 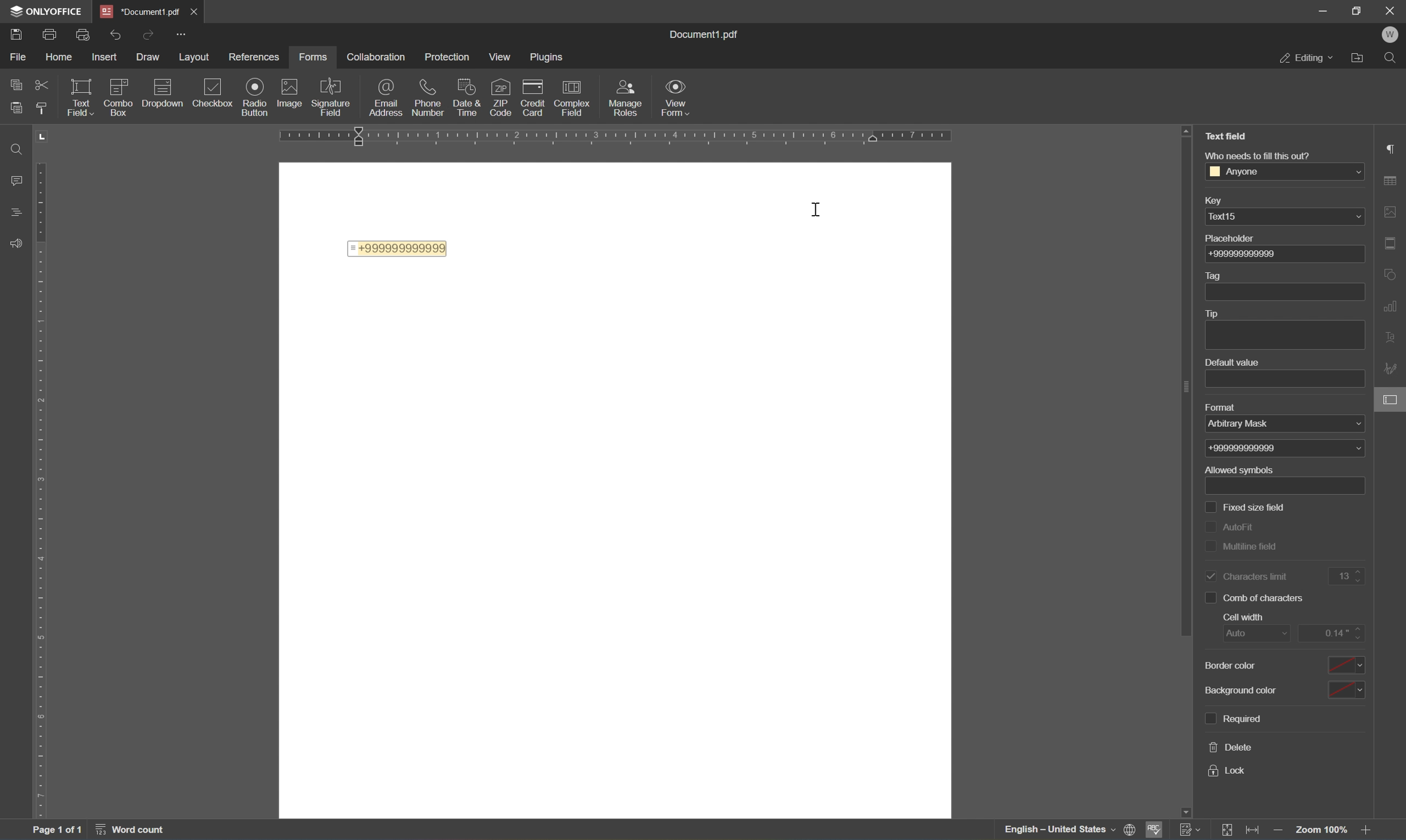 What do you see at coordinates (1235, 239) in the screenshot?
I see `placeholder` at bounding box center [1235, 239].